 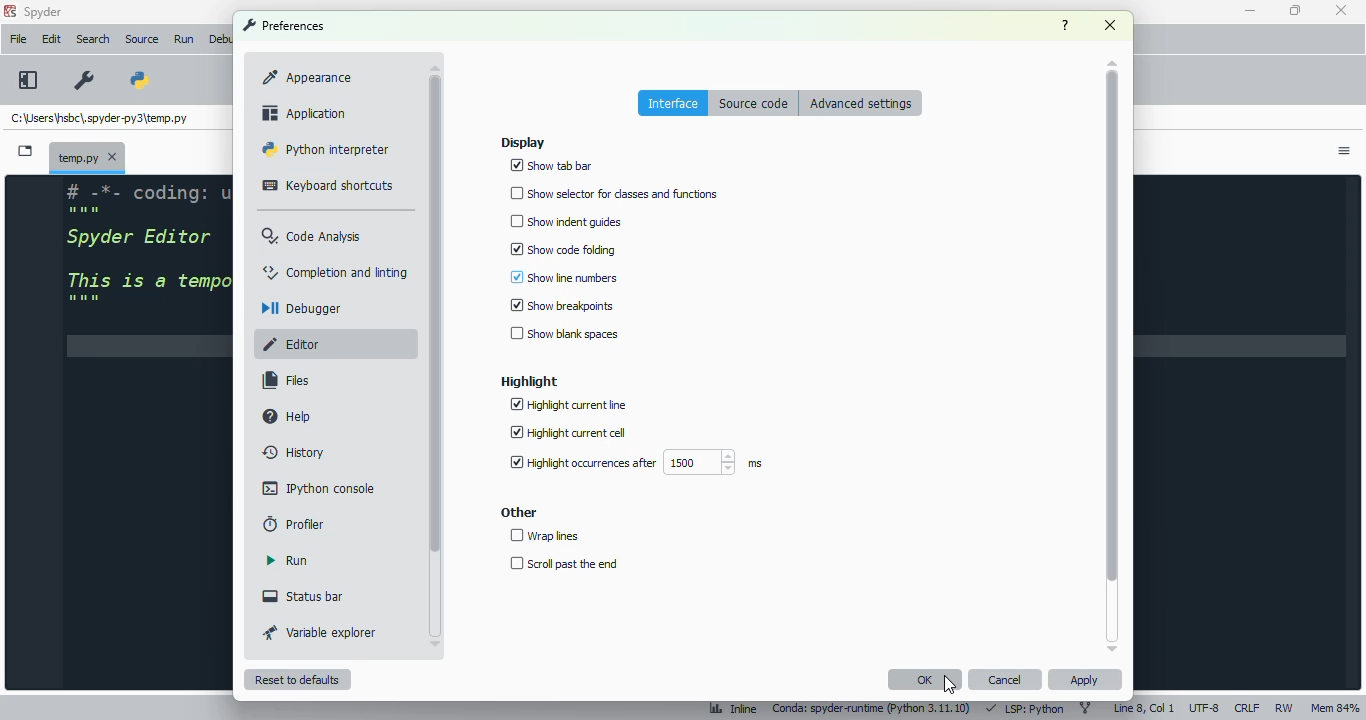 I want to click on other, so click(x=519, y=513).